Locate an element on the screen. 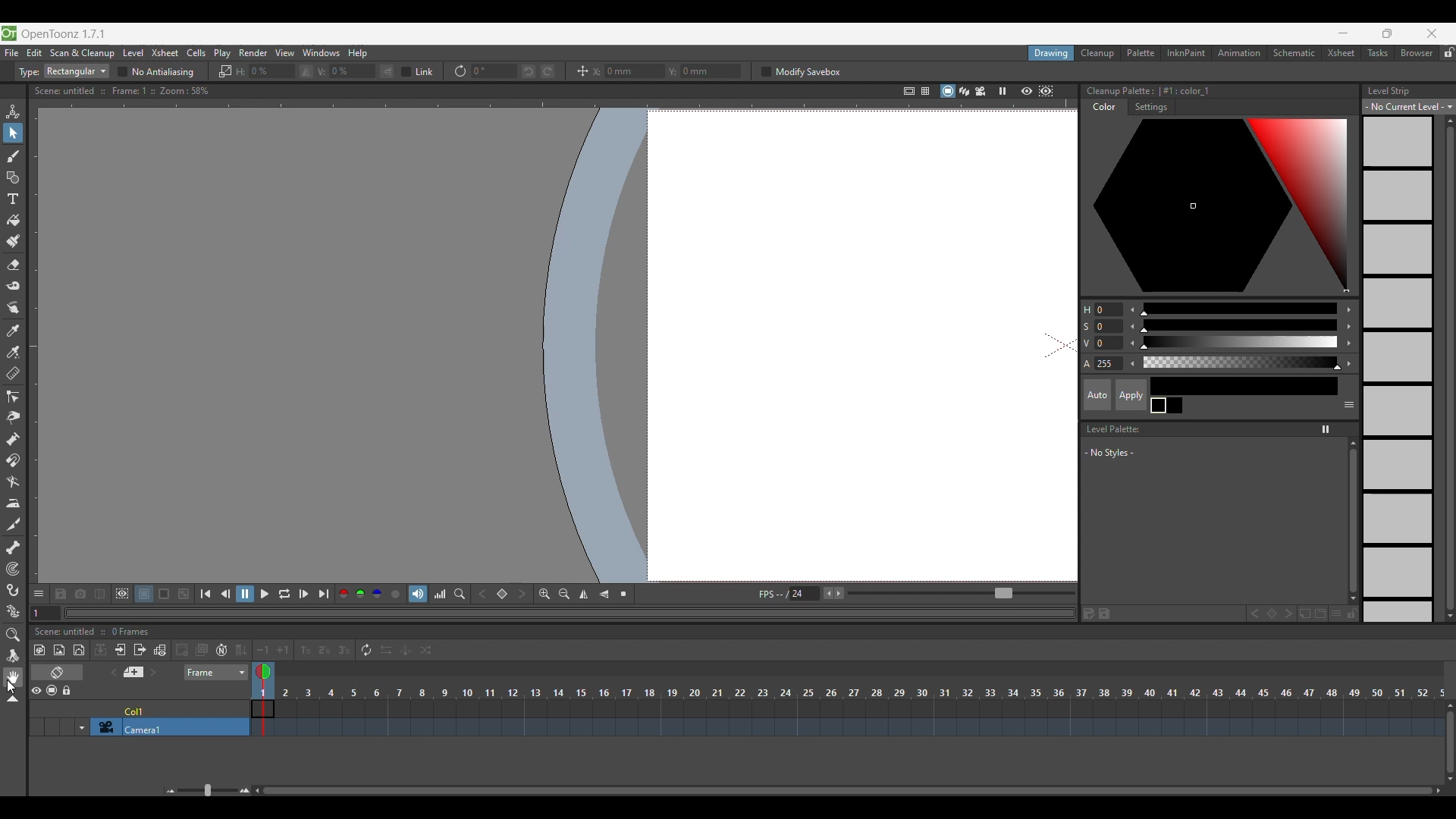 The height and width of the screenshot is (819, 1456). Create blank drawing is located at coordinates (182, 650).